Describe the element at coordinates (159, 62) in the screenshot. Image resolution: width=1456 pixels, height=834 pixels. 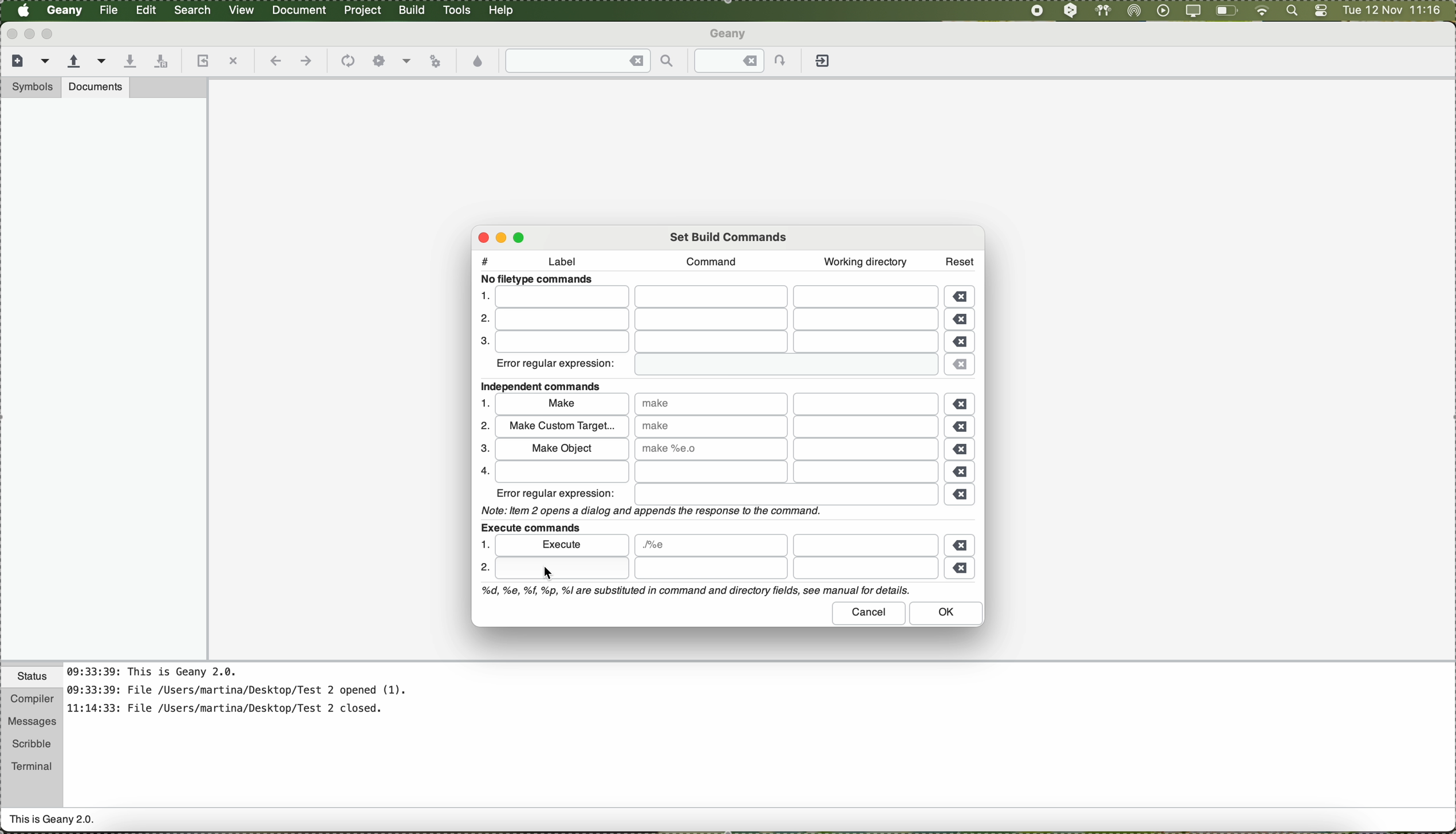
I see `save all open files` at that location.